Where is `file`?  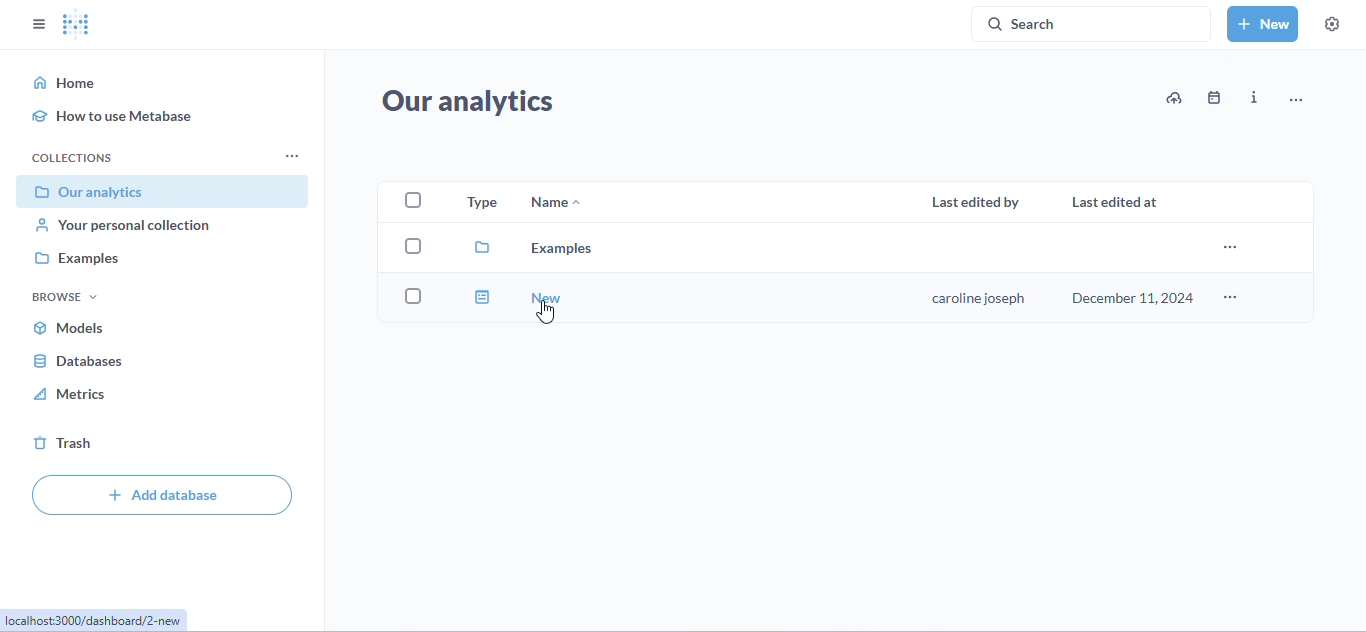
file is located at coordinates (482, 246).